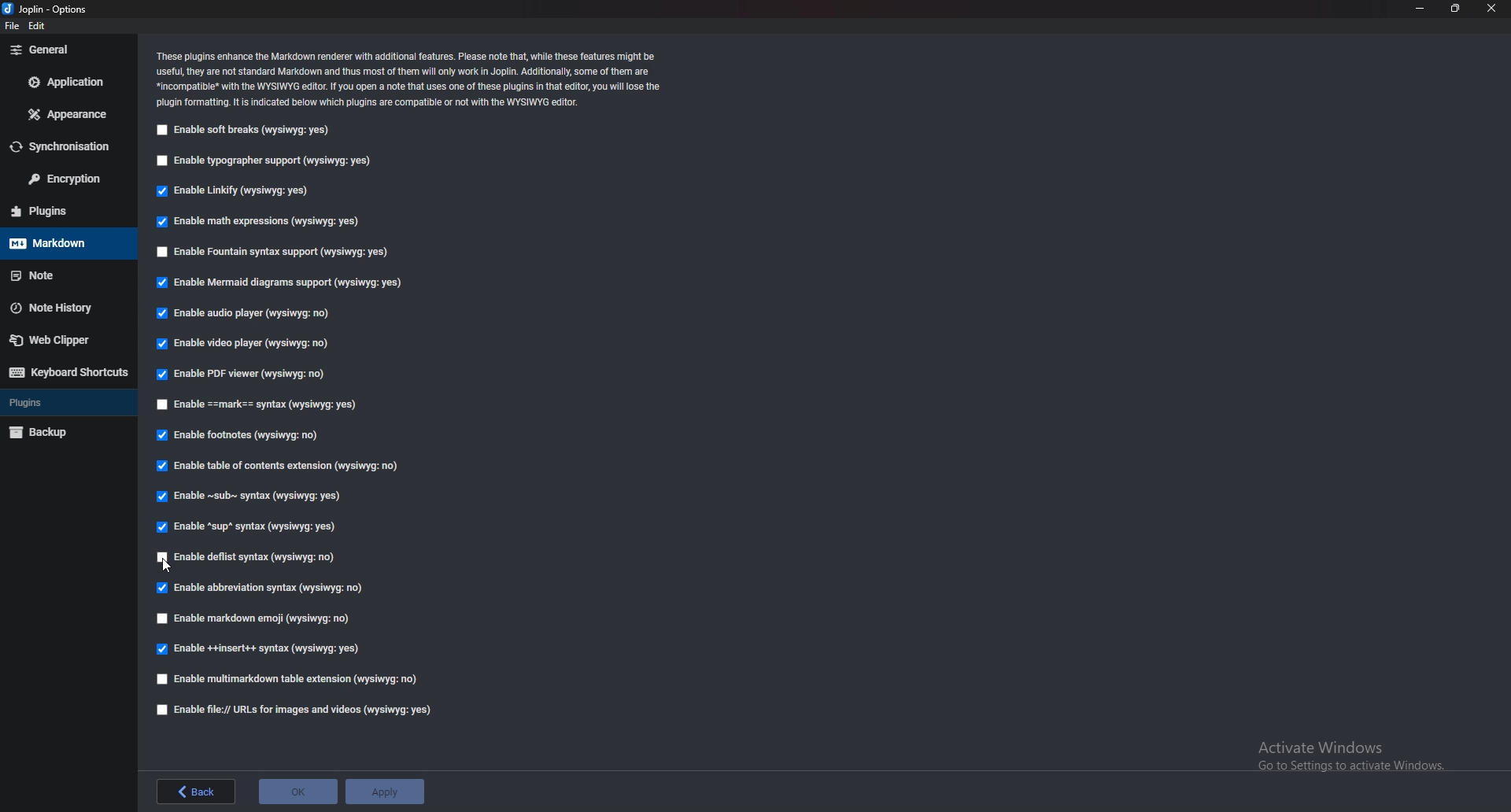  Describe the element at coordinates (65, 146) in the screenshot. I see `sync` at that location.